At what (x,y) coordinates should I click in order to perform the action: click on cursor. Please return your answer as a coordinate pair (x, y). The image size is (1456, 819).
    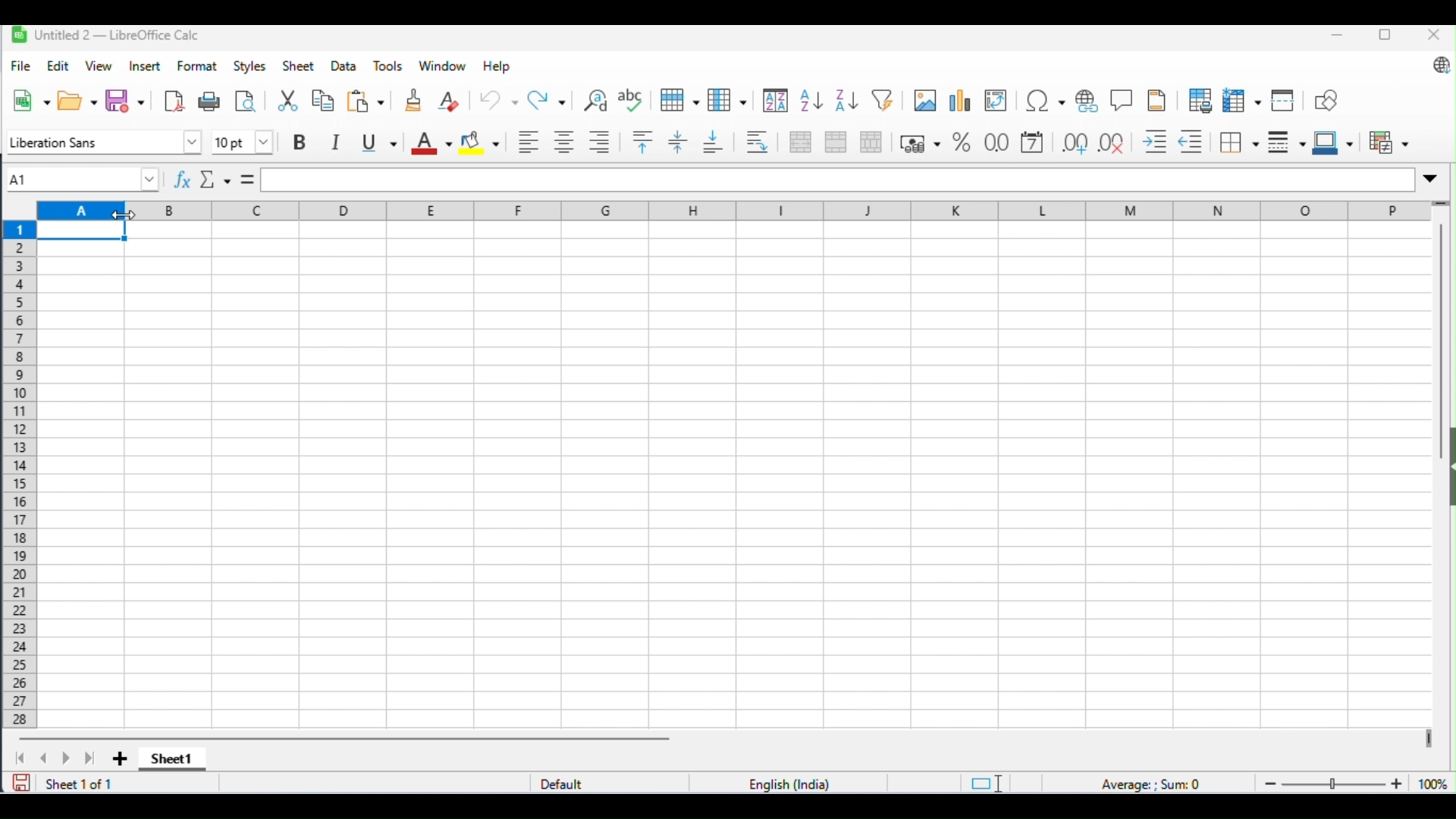
    Looking at the image, I should click on (123, 217).